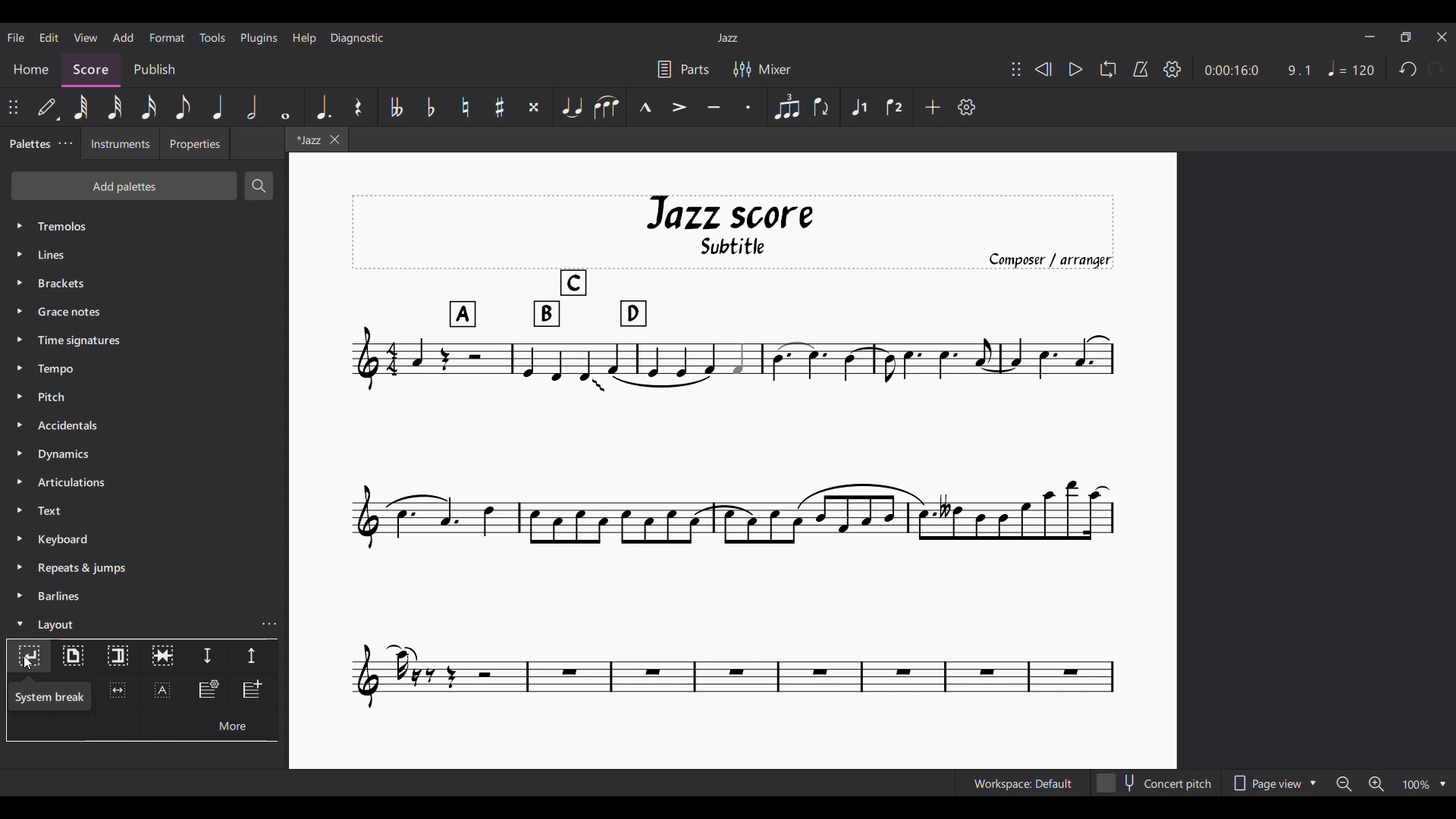 The height and width of the screenshot is (819, 1456). Describe the element at coordinates (115, 107) in the screenshot. I see `32nd note` at that location.